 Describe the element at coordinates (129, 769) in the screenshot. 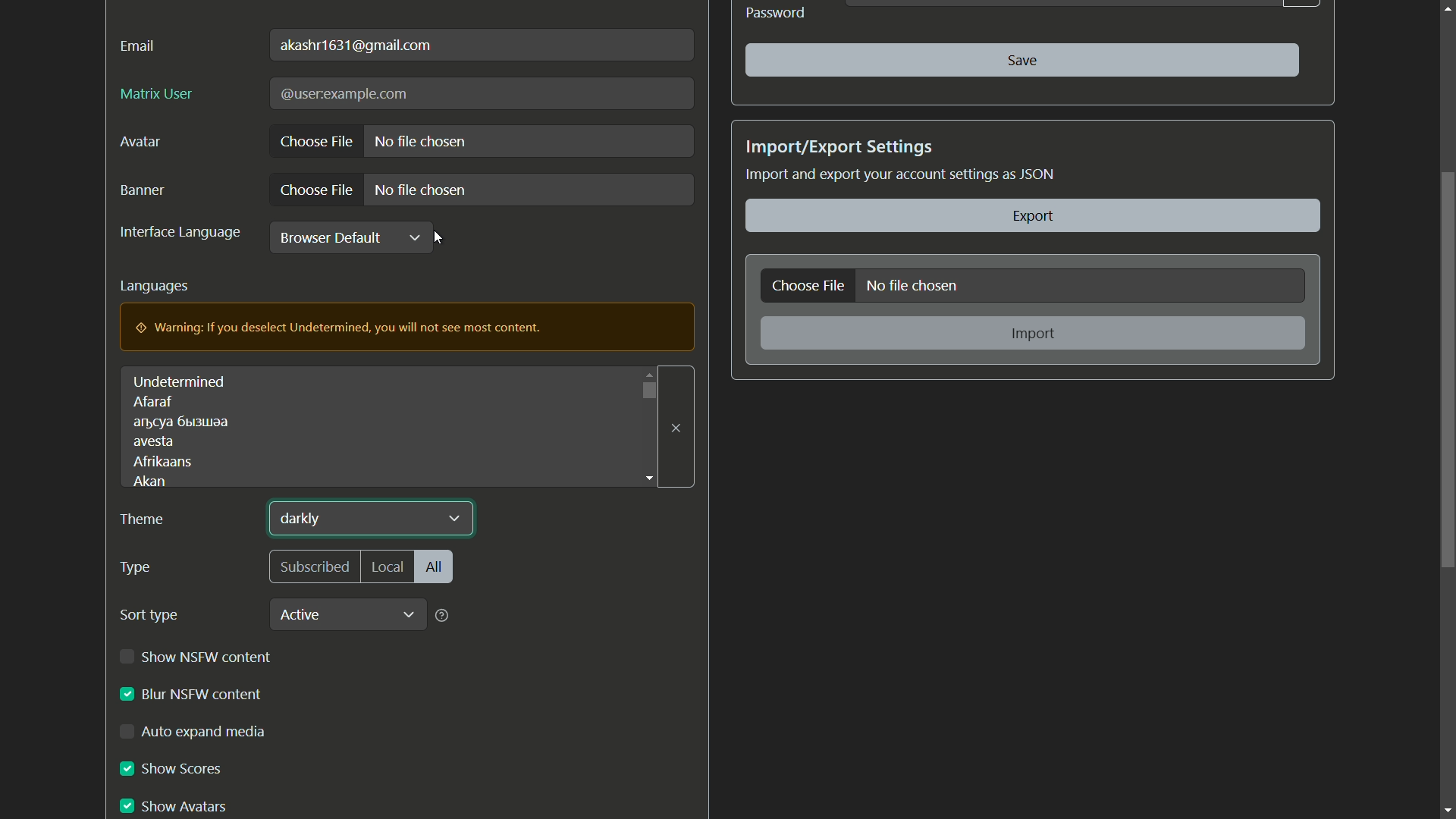

I see `checkbox` at that location.